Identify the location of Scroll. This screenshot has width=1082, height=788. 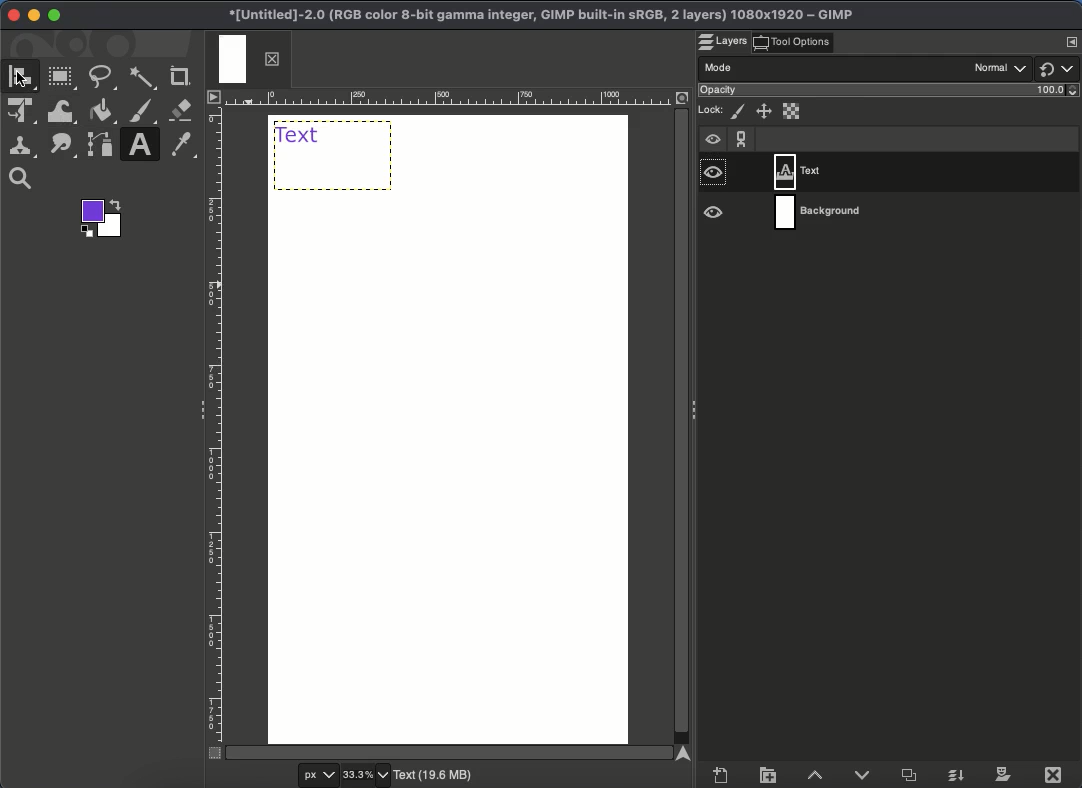
(683, 426).